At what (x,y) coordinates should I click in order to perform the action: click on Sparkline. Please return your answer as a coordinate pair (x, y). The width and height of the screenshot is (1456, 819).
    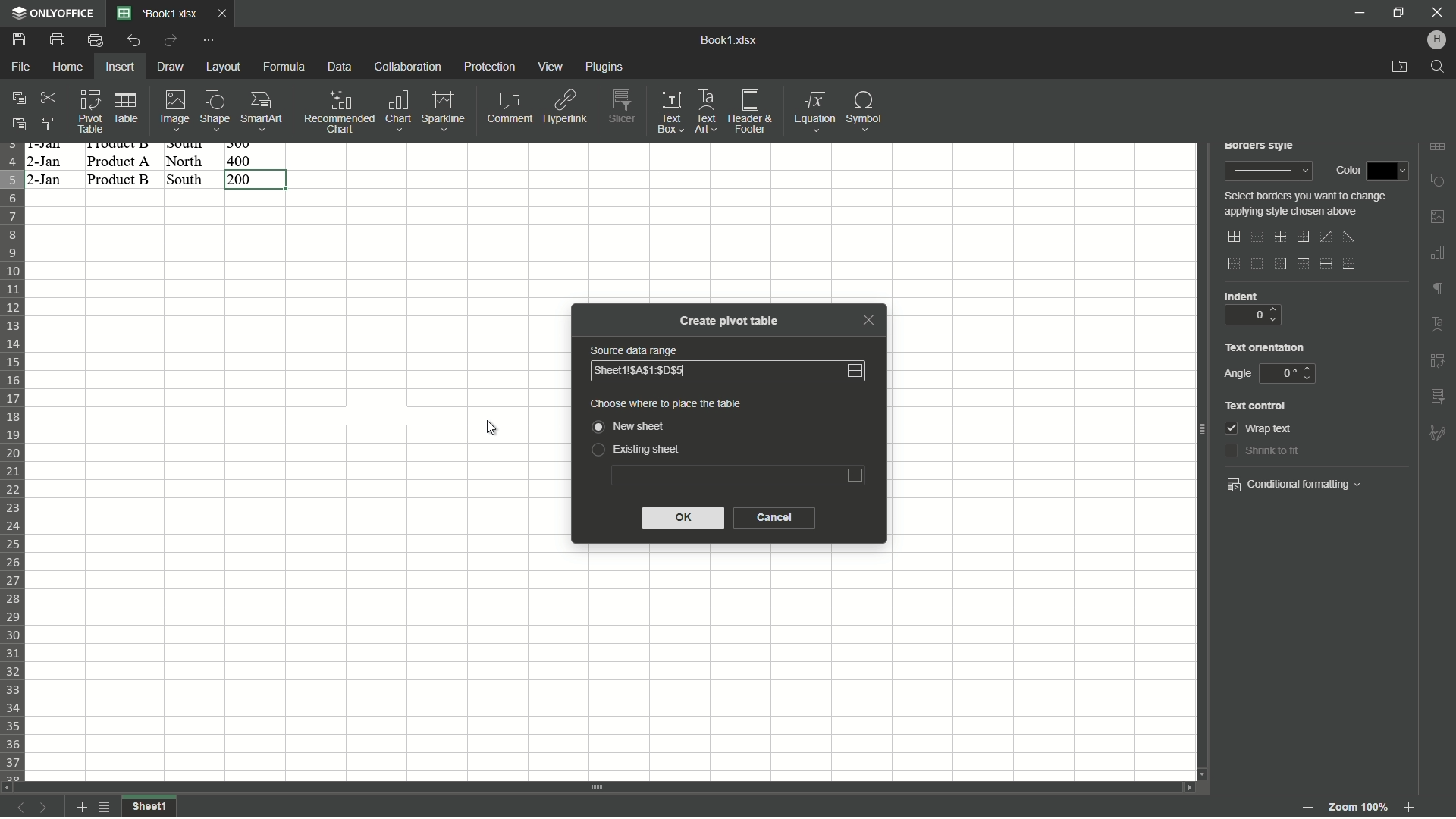
    Looking at the image, I should click on (444, 112).